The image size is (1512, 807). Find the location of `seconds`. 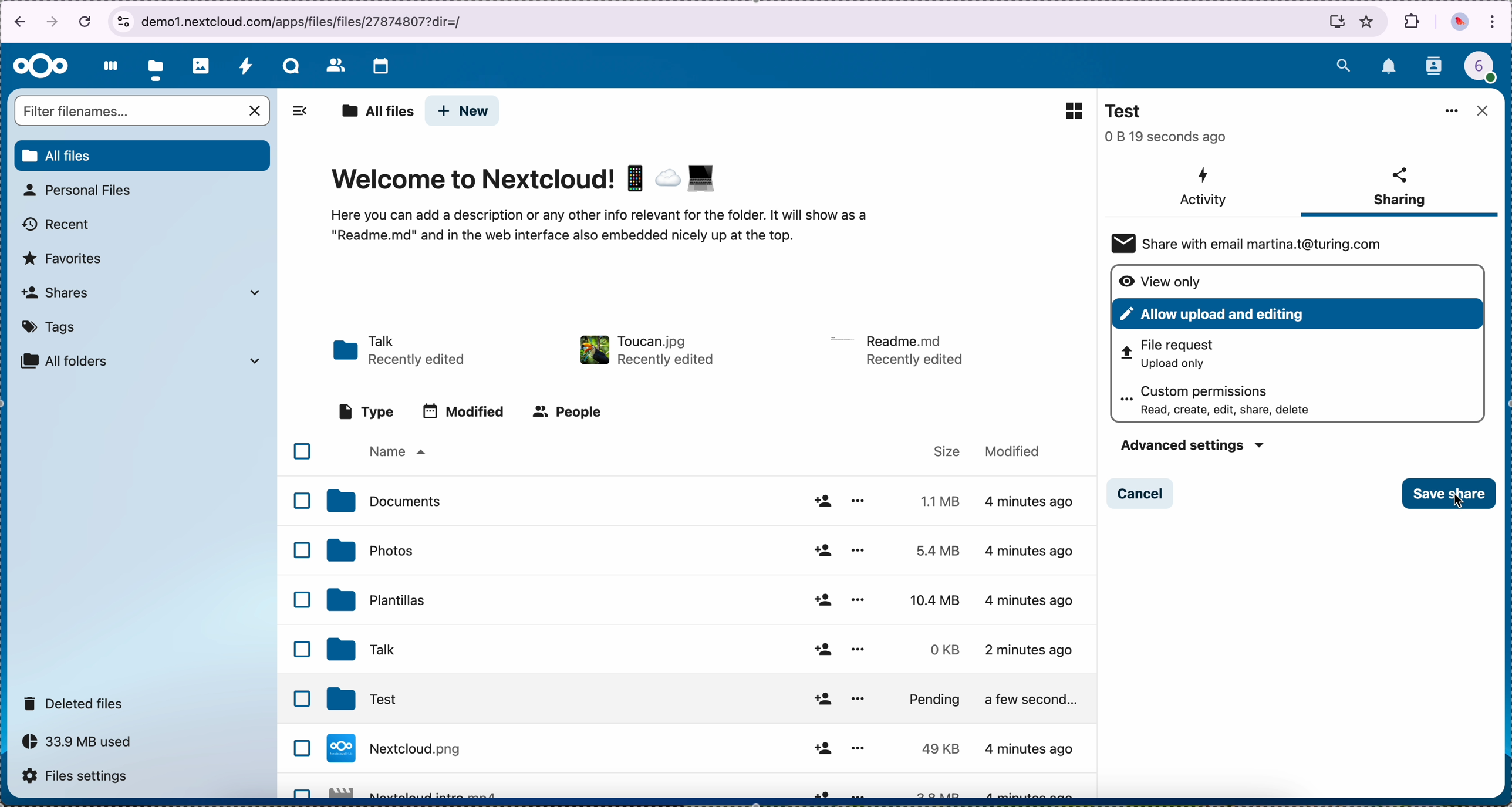

seconds is located at coordinates (1167, 137).